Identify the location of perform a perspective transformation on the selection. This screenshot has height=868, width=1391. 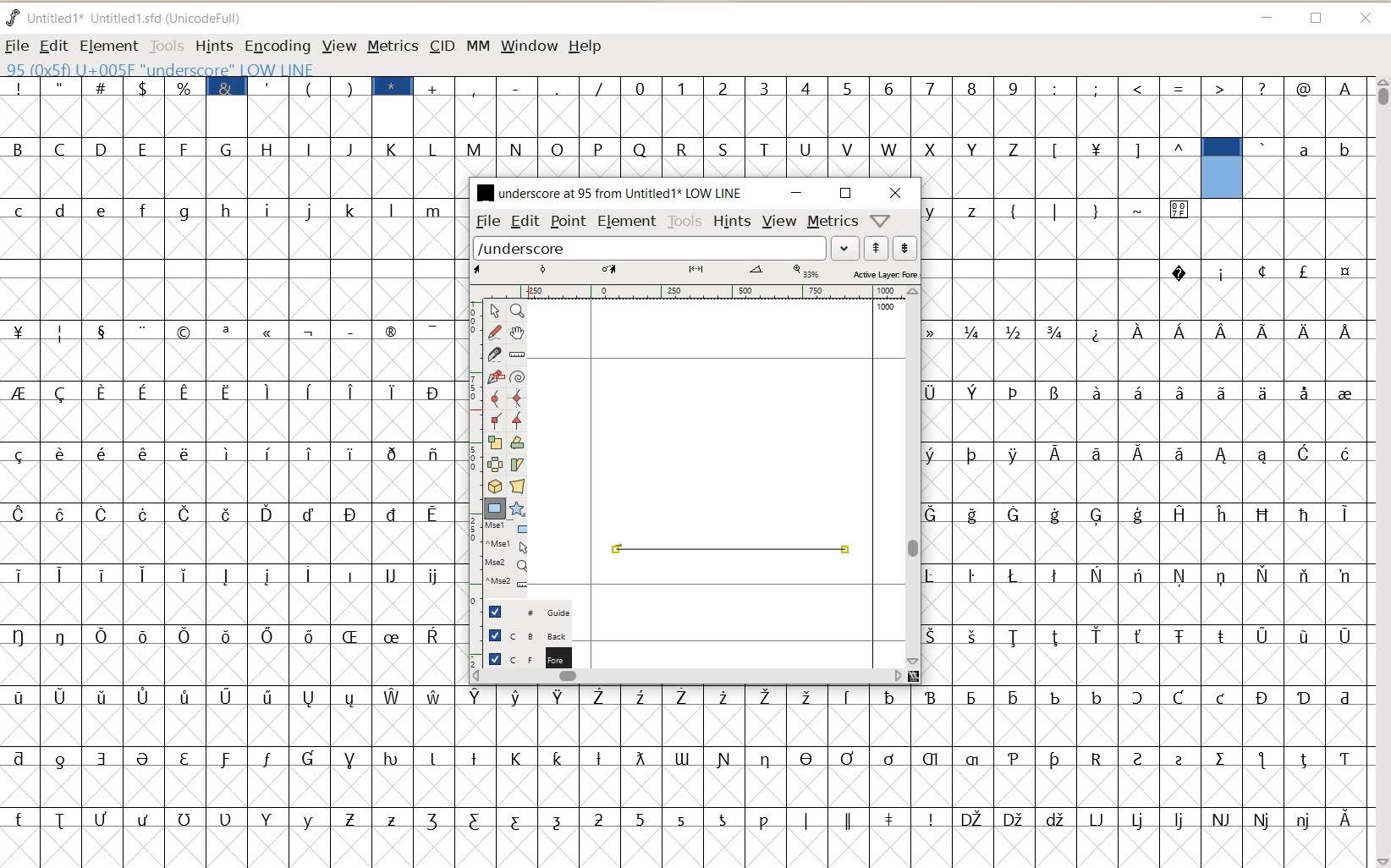
(517, 486).